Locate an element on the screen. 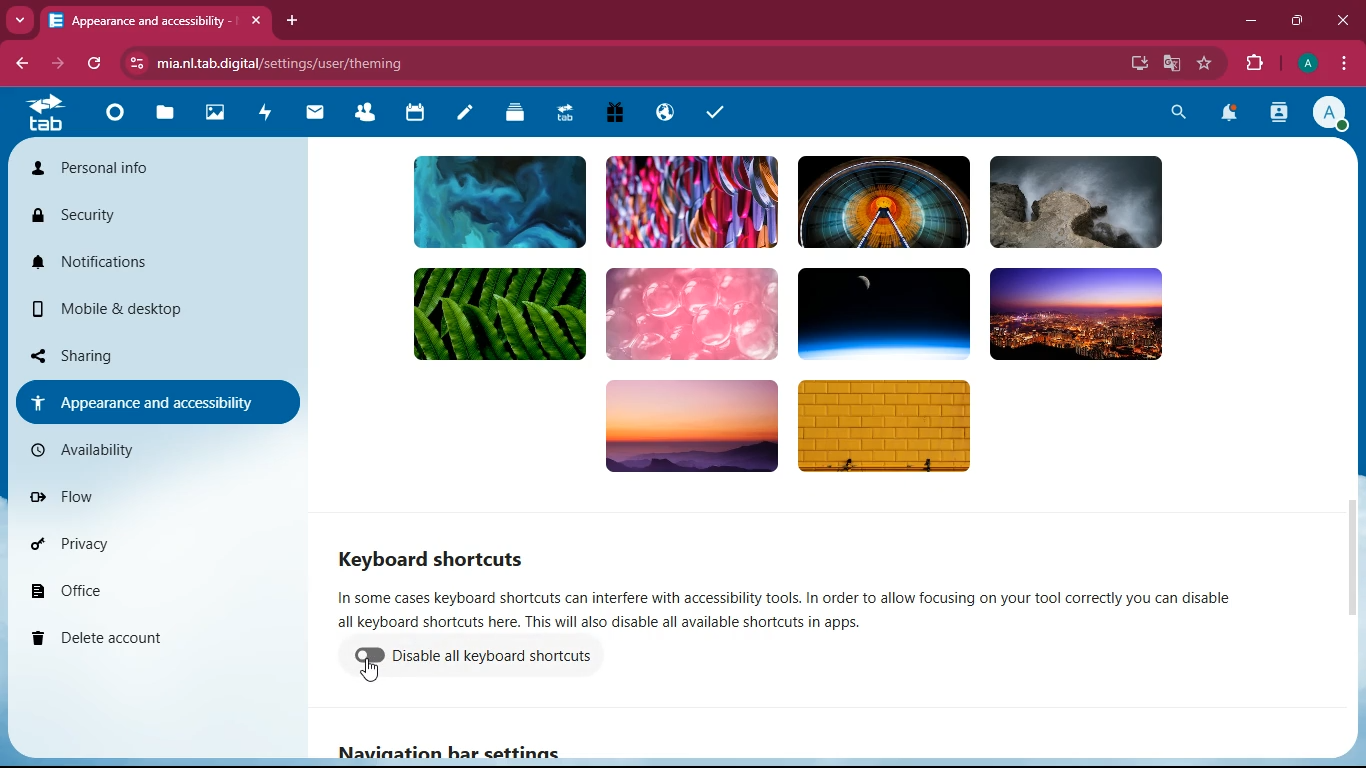 This screenshot has height=768, width=1366. sharing is located at coordinates (125, 353).